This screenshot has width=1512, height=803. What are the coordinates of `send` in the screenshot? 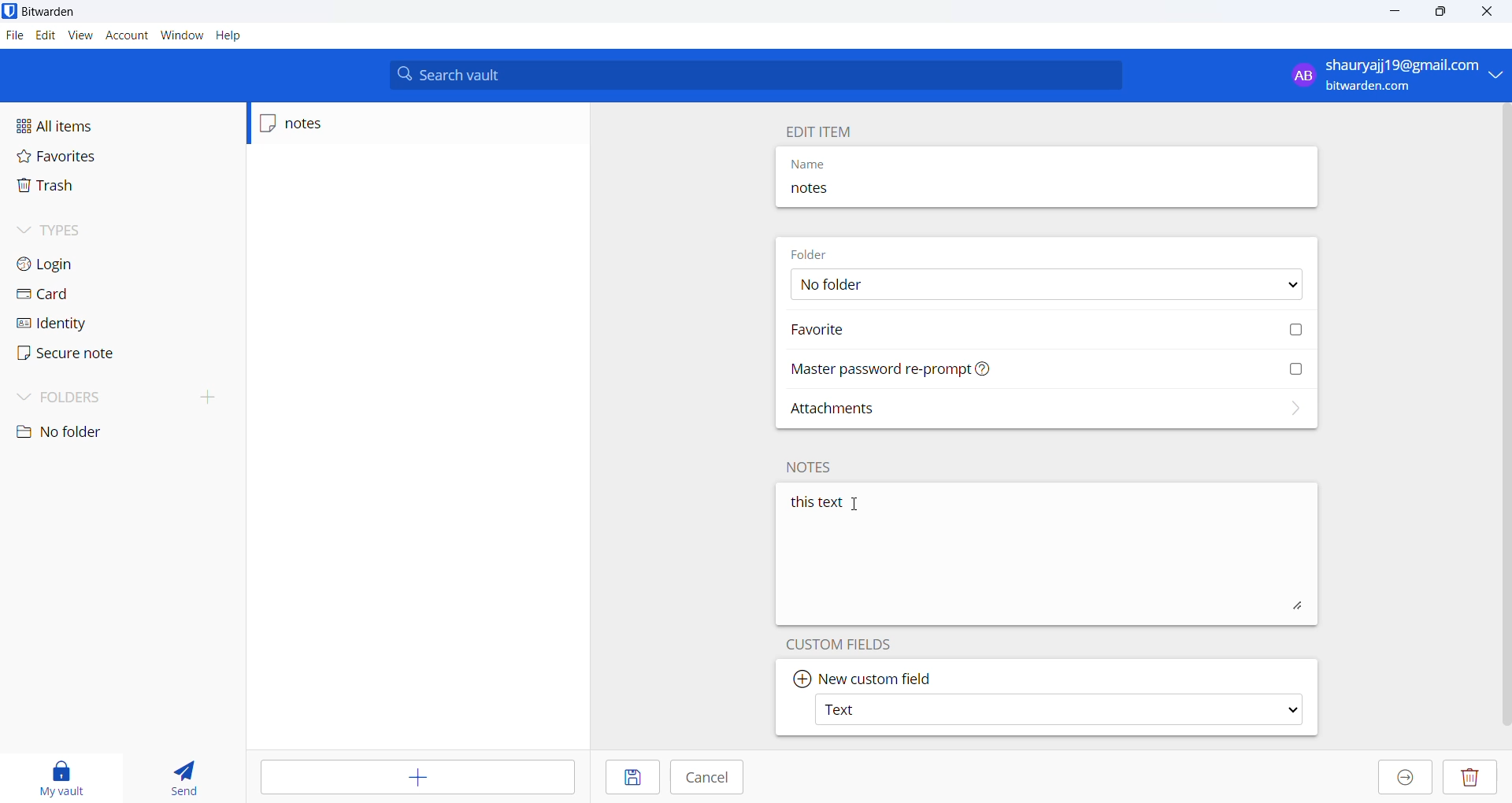 It's located at (179, 777).